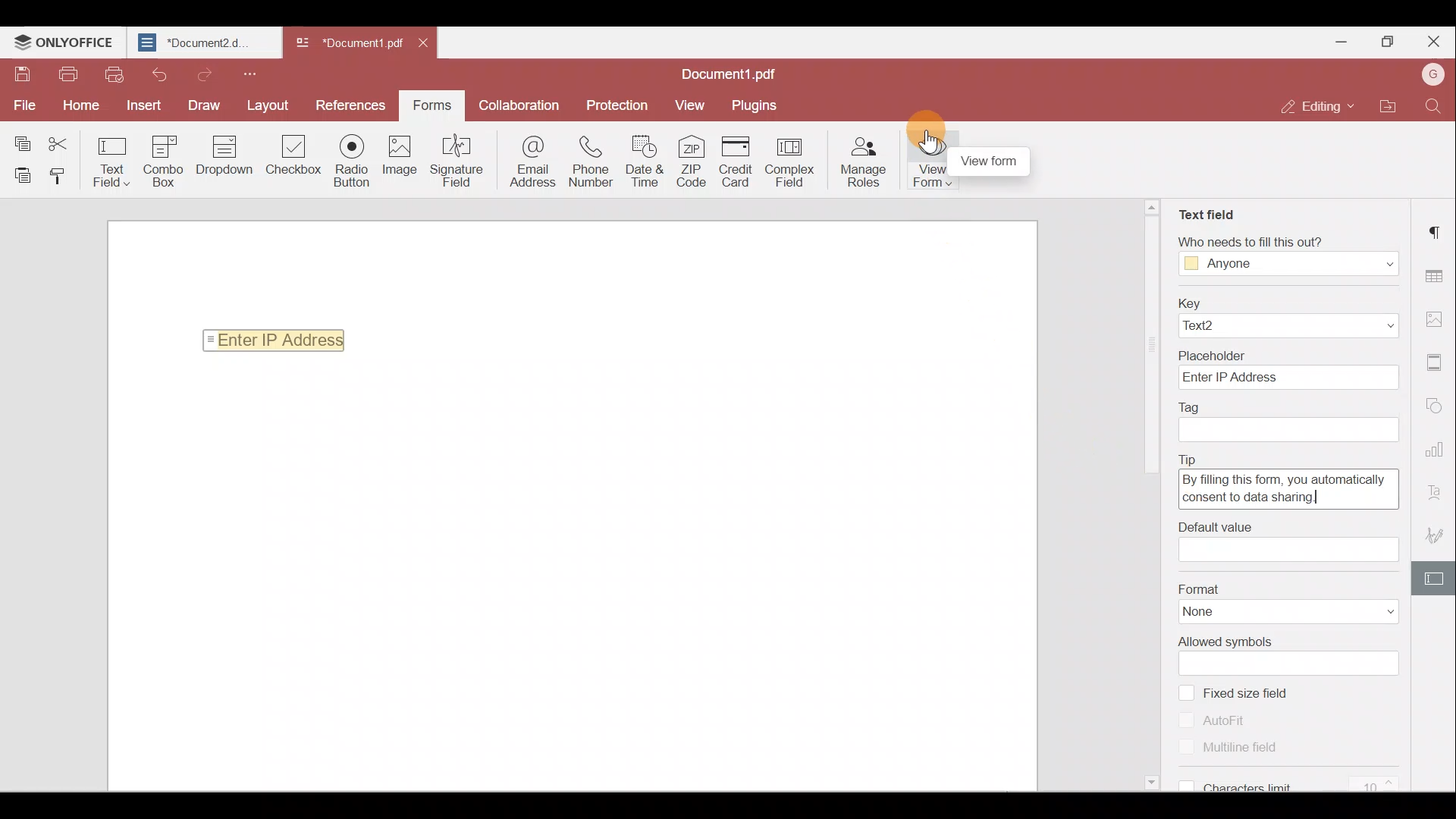  I want to click on checkbox, so click(1183, 783).